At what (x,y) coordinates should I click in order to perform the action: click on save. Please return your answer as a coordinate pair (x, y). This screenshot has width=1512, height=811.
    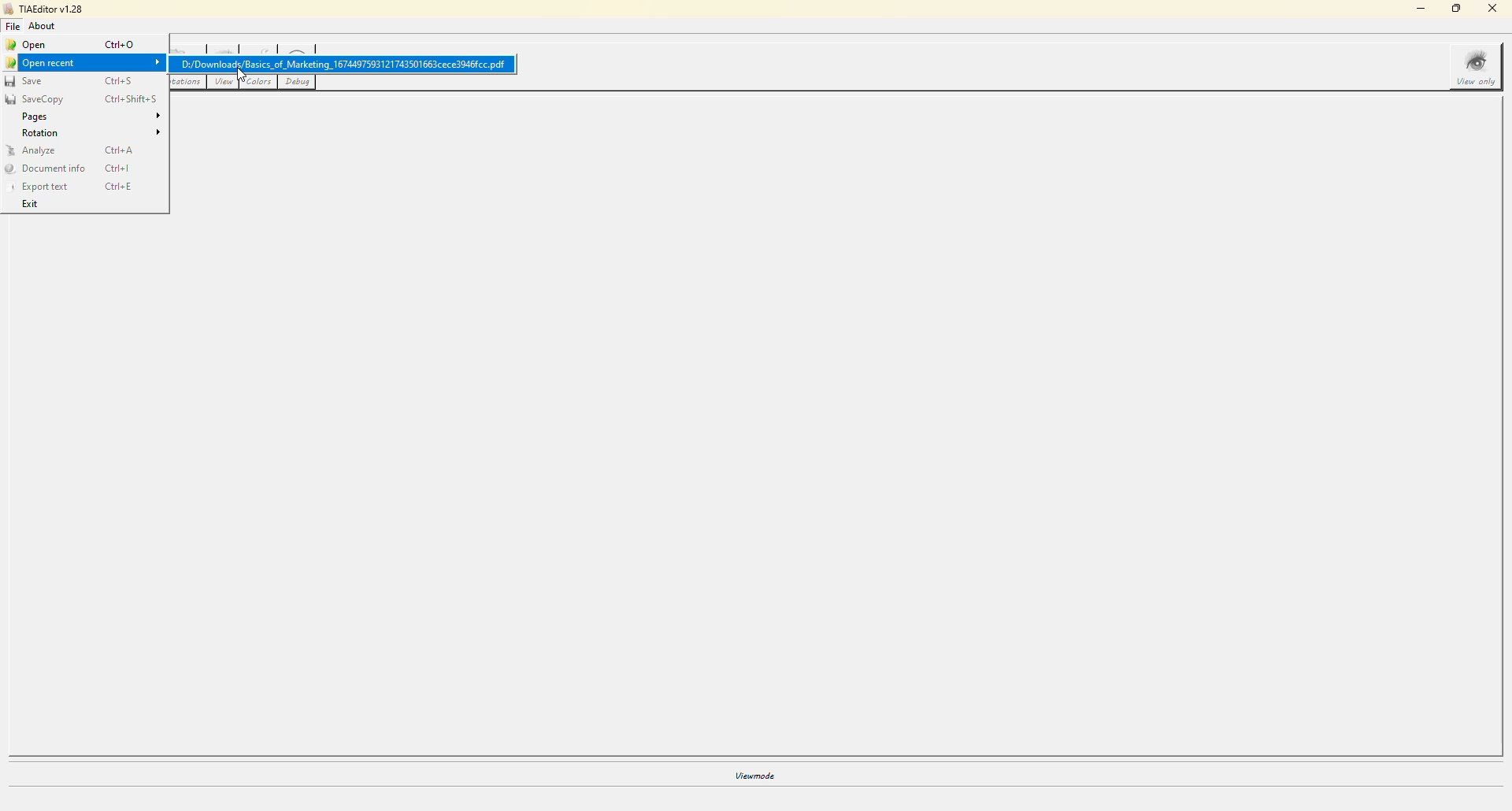
    Looking at the image, I should click on (48, 81).